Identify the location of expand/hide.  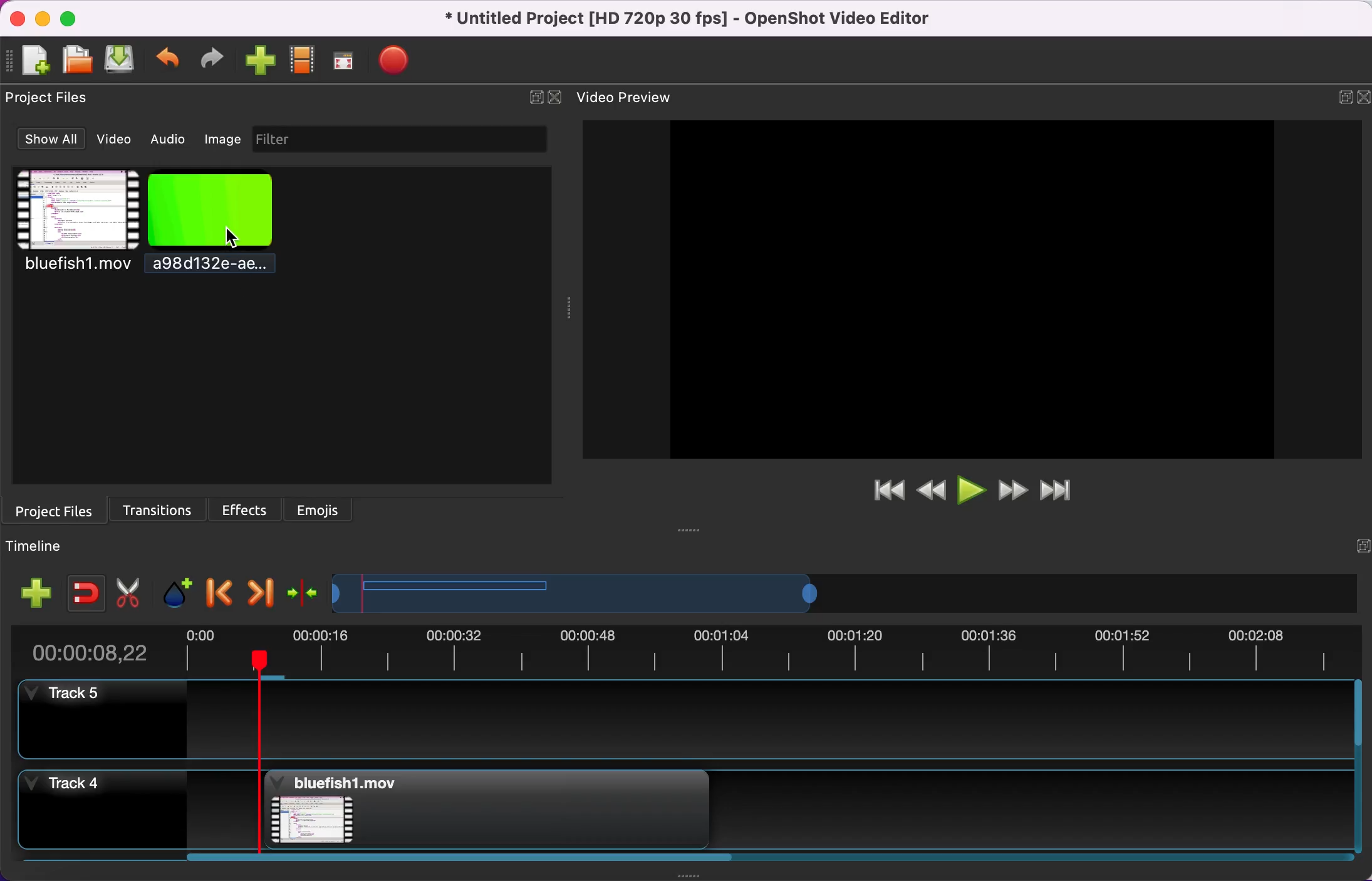
(1339, 93).